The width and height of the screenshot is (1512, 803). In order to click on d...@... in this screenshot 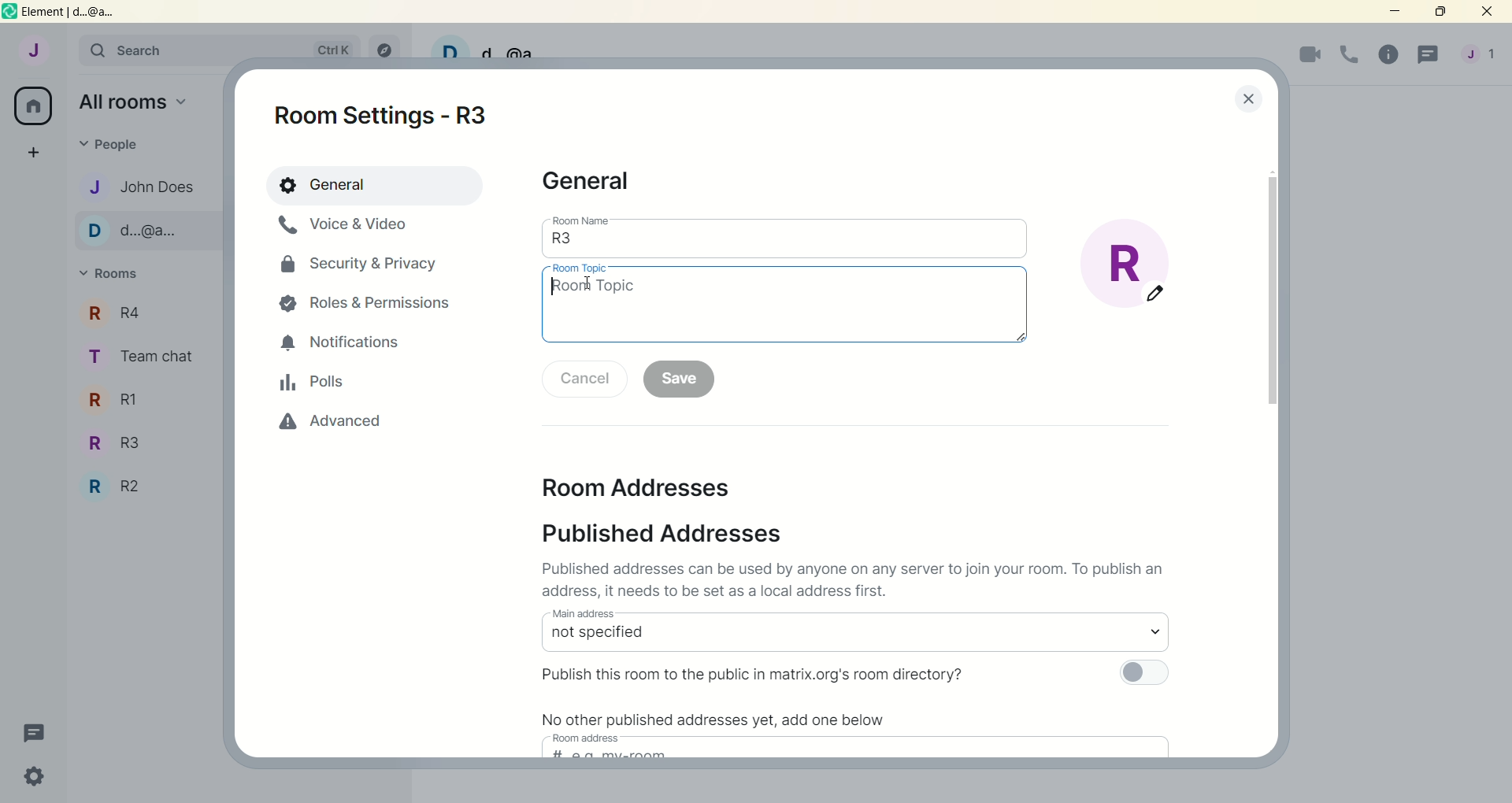, I will do `click(141, 231)`.